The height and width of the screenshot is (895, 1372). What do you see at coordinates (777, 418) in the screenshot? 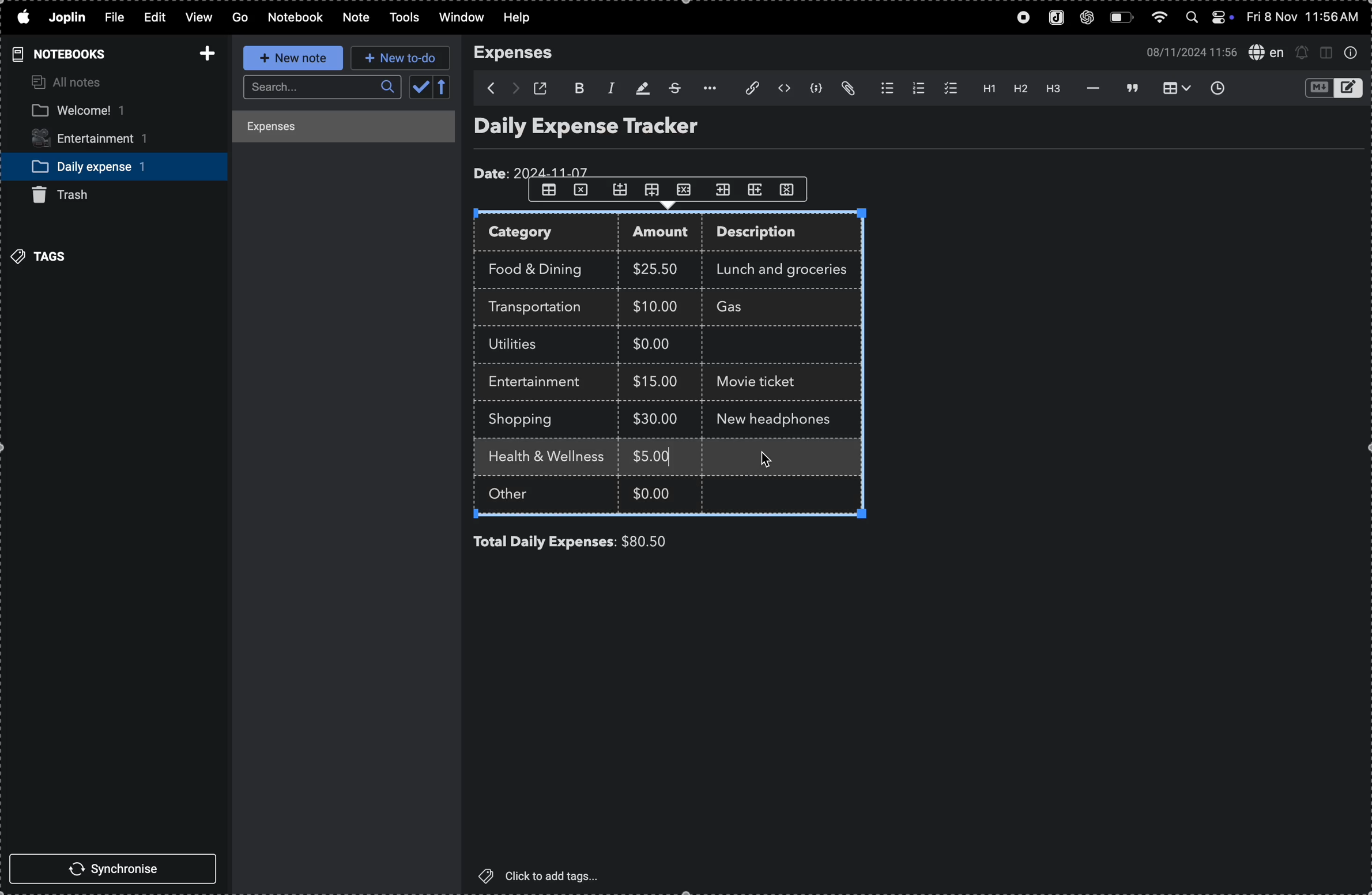
I see `new headphones` at bounding box center [777, 418].